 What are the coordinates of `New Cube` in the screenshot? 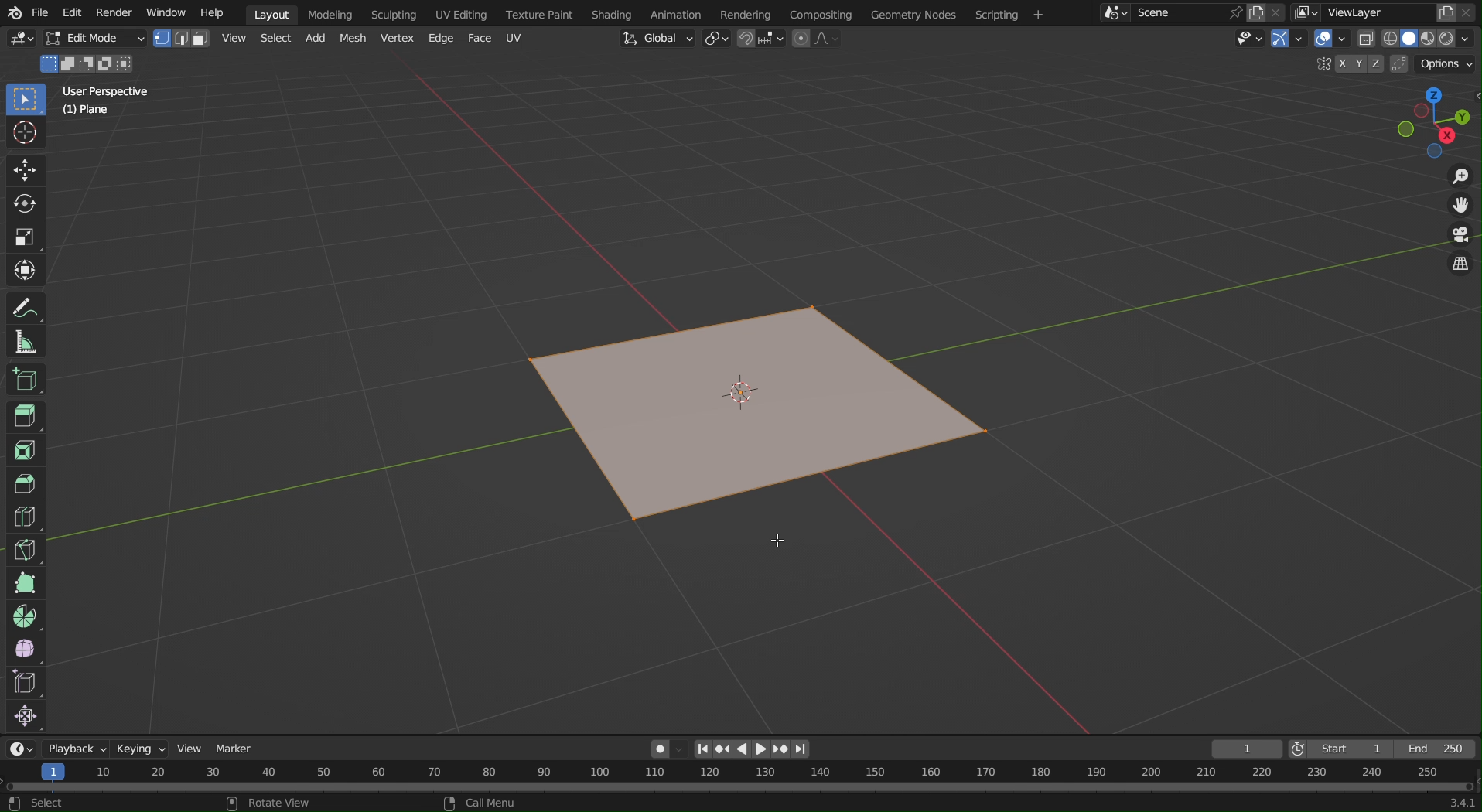 It's located at (24, 378).